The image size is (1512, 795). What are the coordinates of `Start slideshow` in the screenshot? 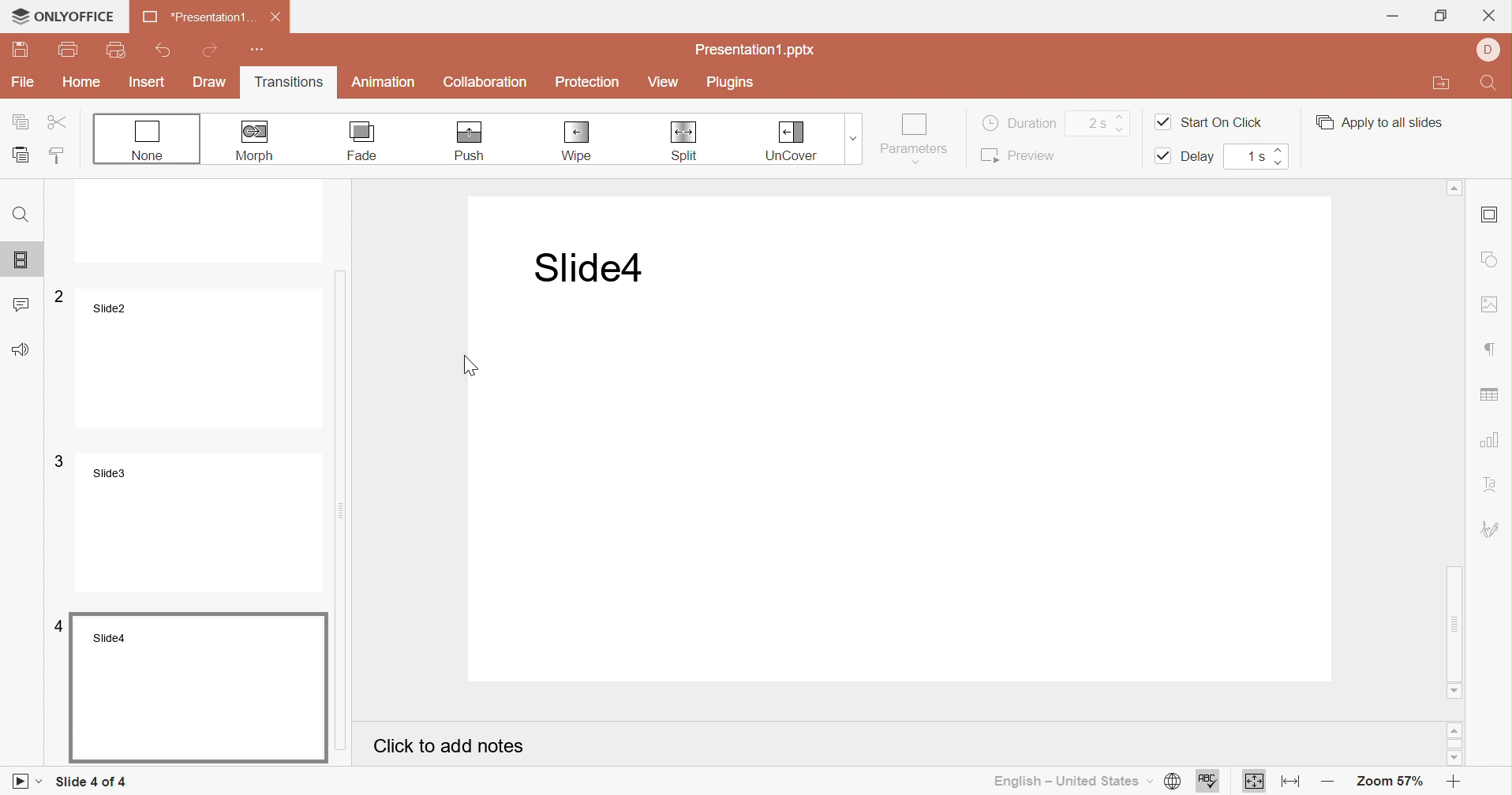 It's located at (28, 782).